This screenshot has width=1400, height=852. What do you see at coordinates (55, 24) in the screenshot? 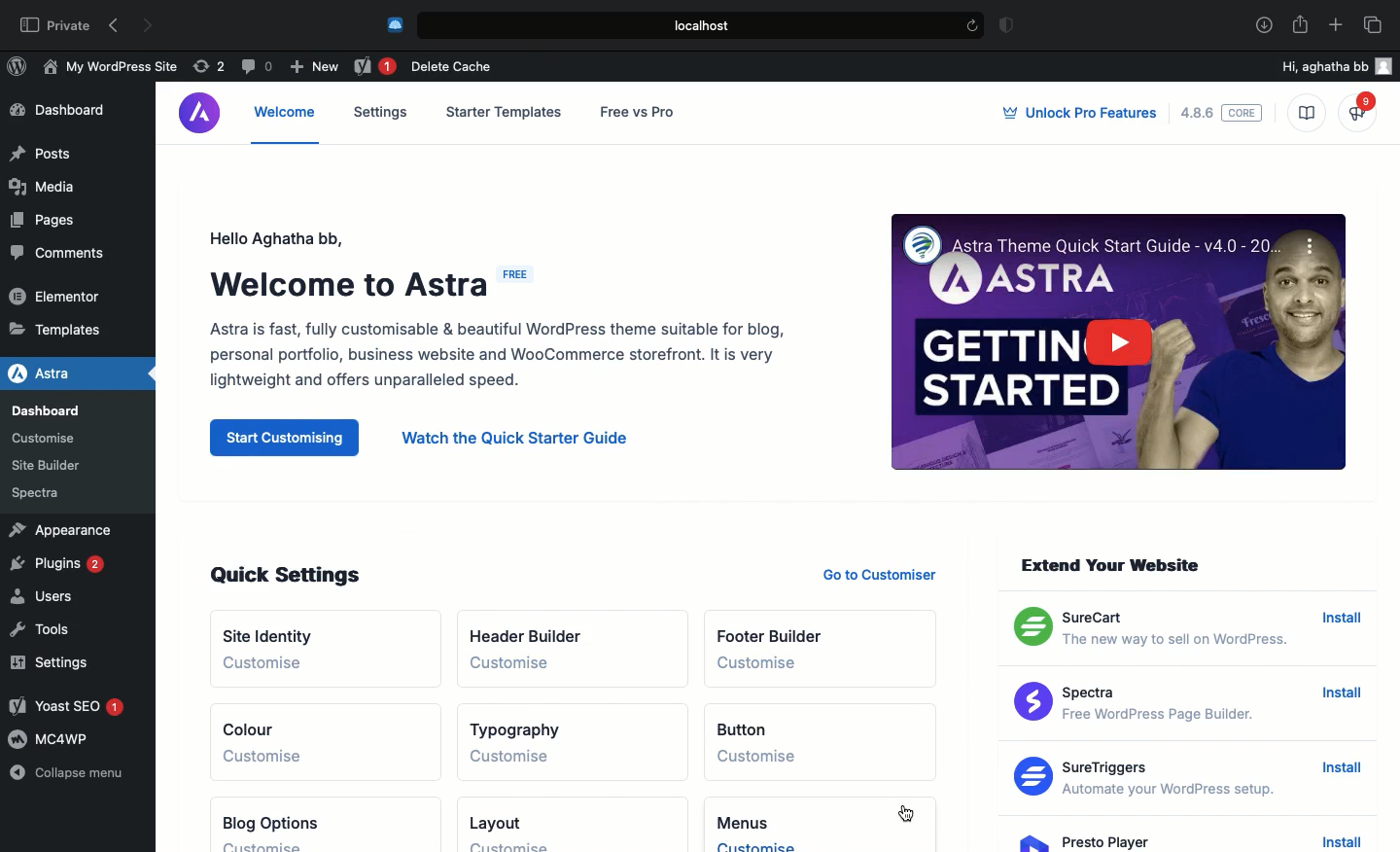
I see `Private` at bounding box center [55, 24].